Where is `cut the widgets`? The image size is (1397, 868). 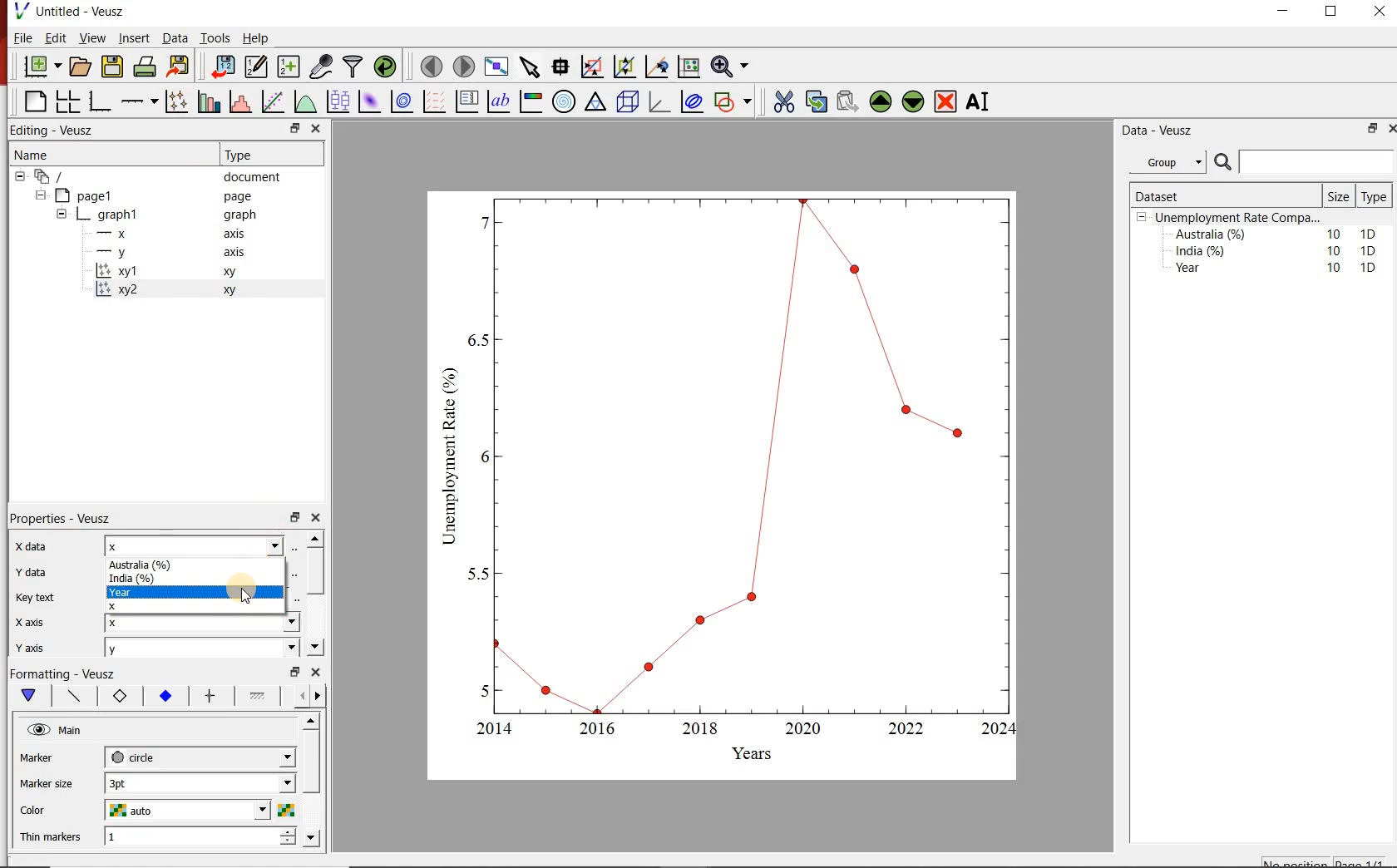 cut the widgets is located at coordinates (784, 101).